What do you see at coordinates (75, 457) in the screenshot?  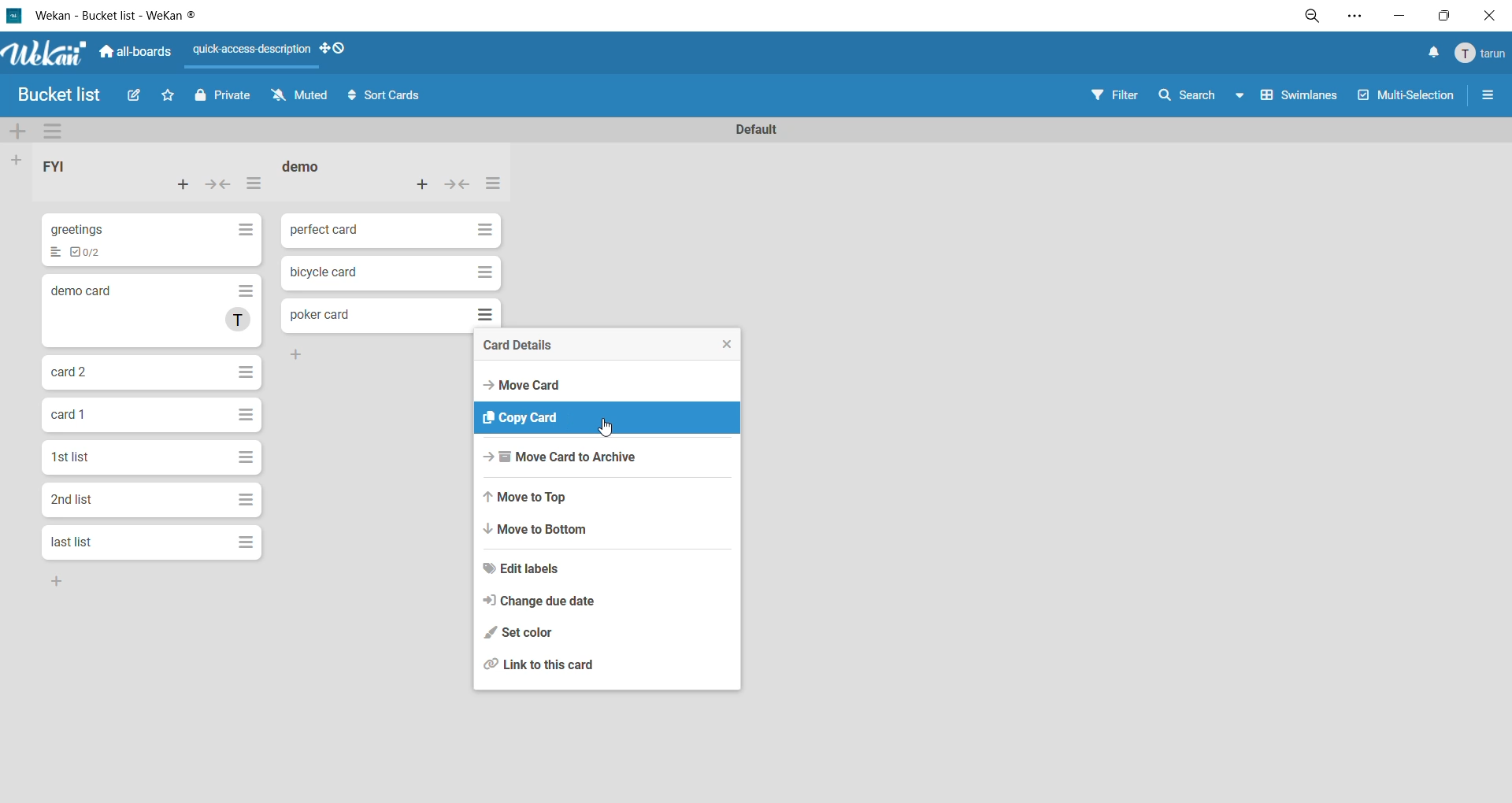 I see `1st list` at bounding box center [75, 457].